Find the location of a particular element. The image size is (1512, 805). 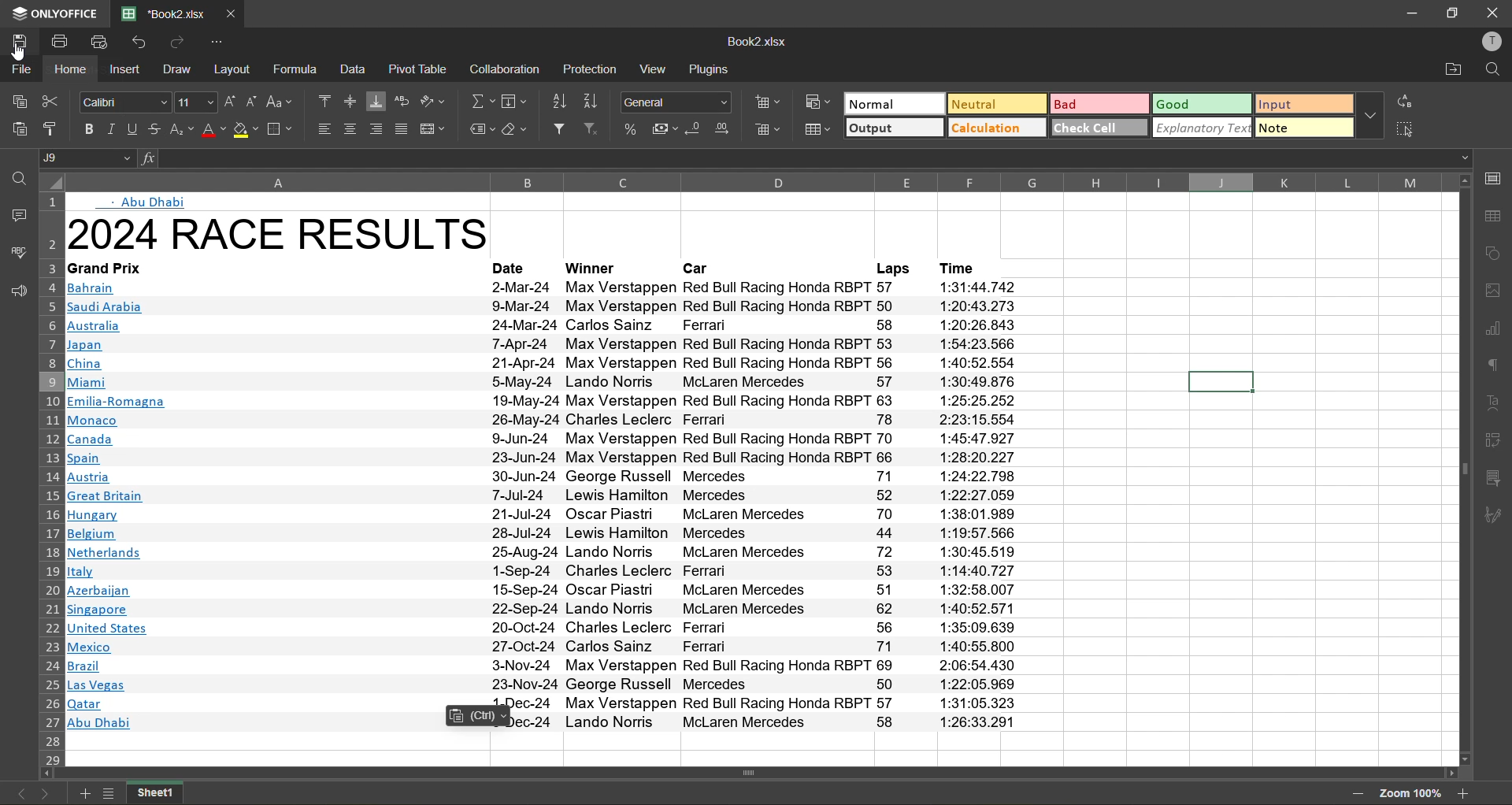

paragraph is located at coordinates (1492, 368).